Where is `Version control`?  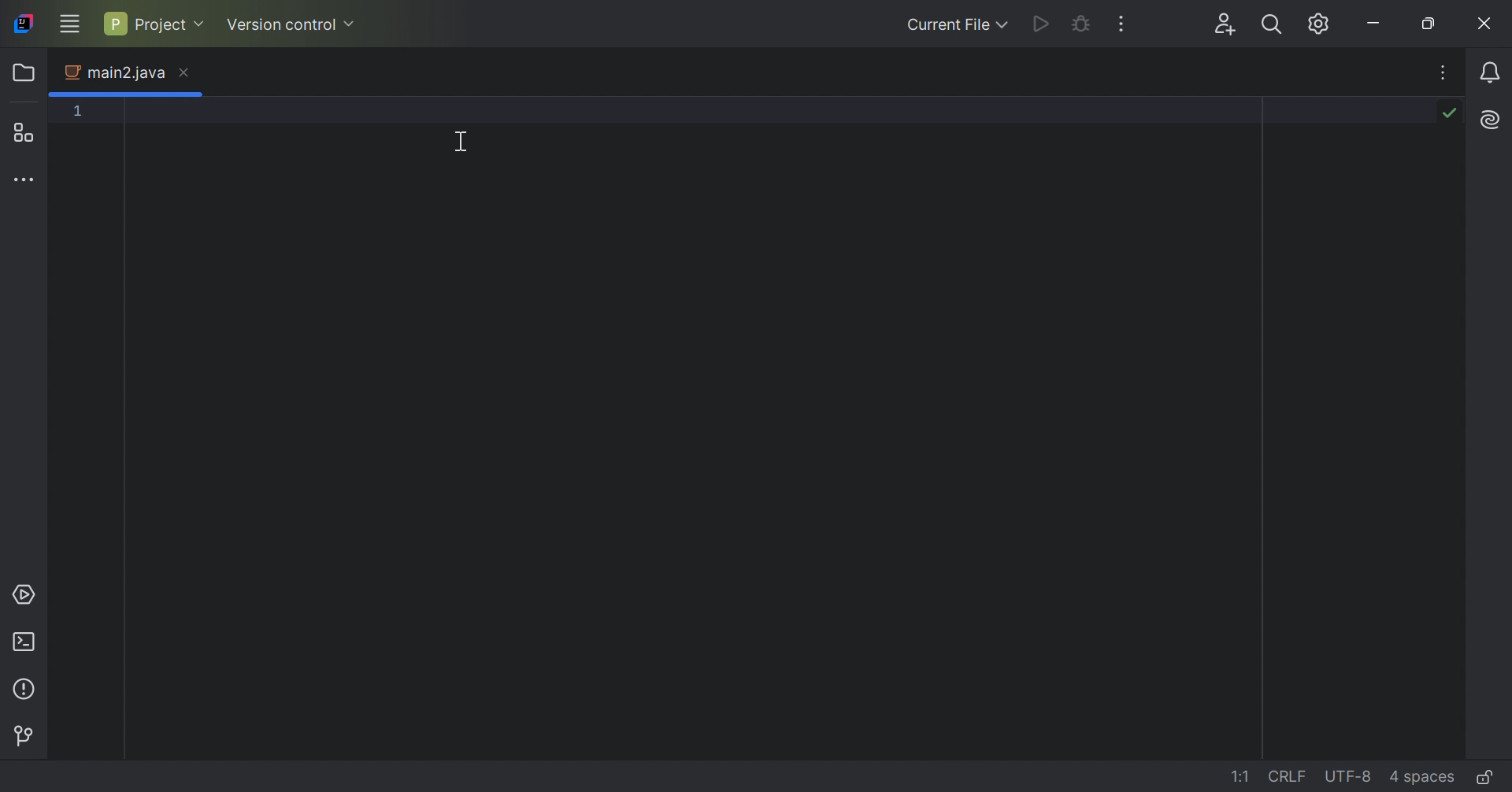 Version control is located at coordinates (291, 25).